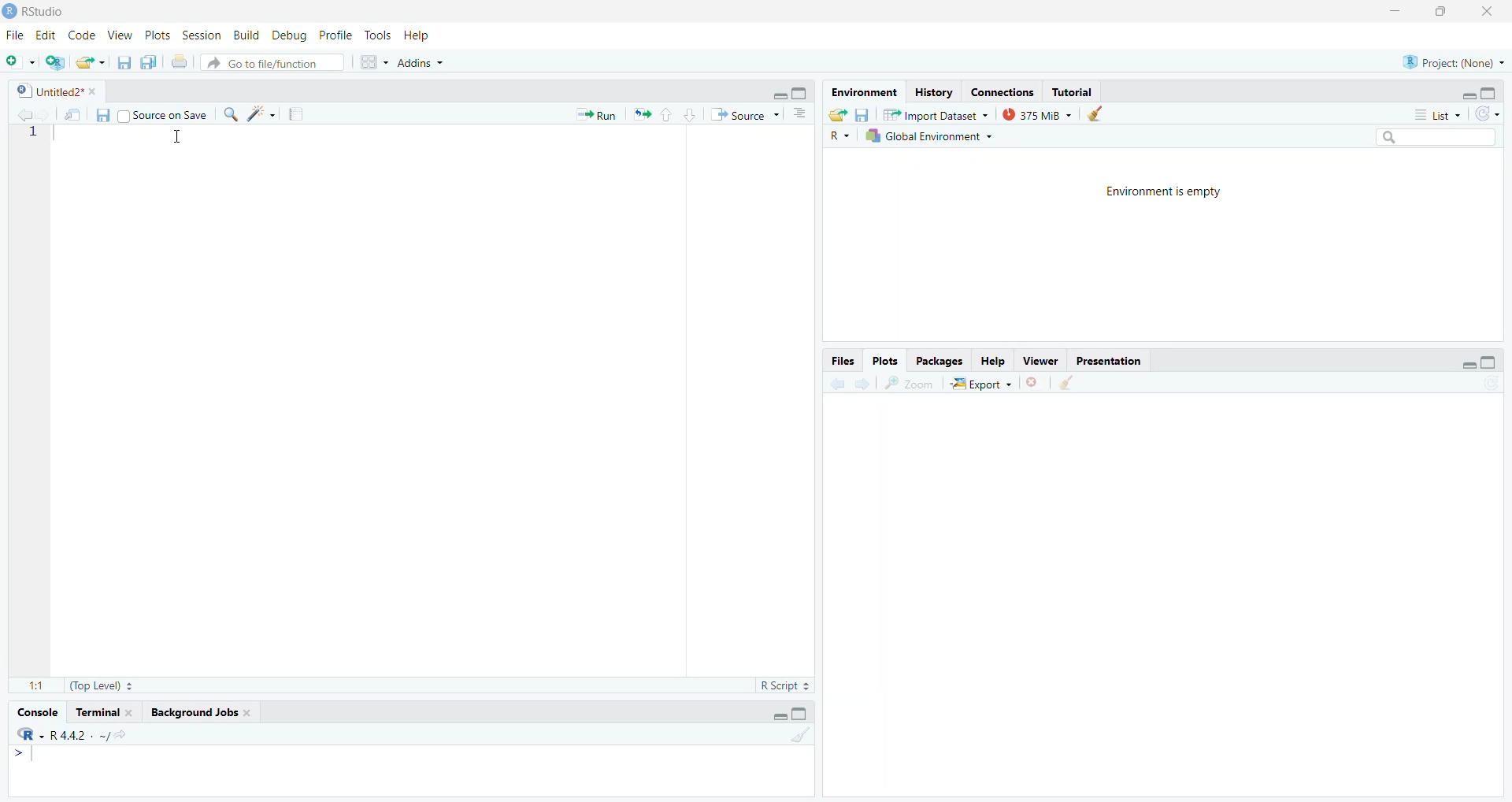 The width and height of the screenshot is (1512, 802). What do you see at coordinates (262, 113) in the screenshot?
I see `code tools` at bounding box center [262, 113].